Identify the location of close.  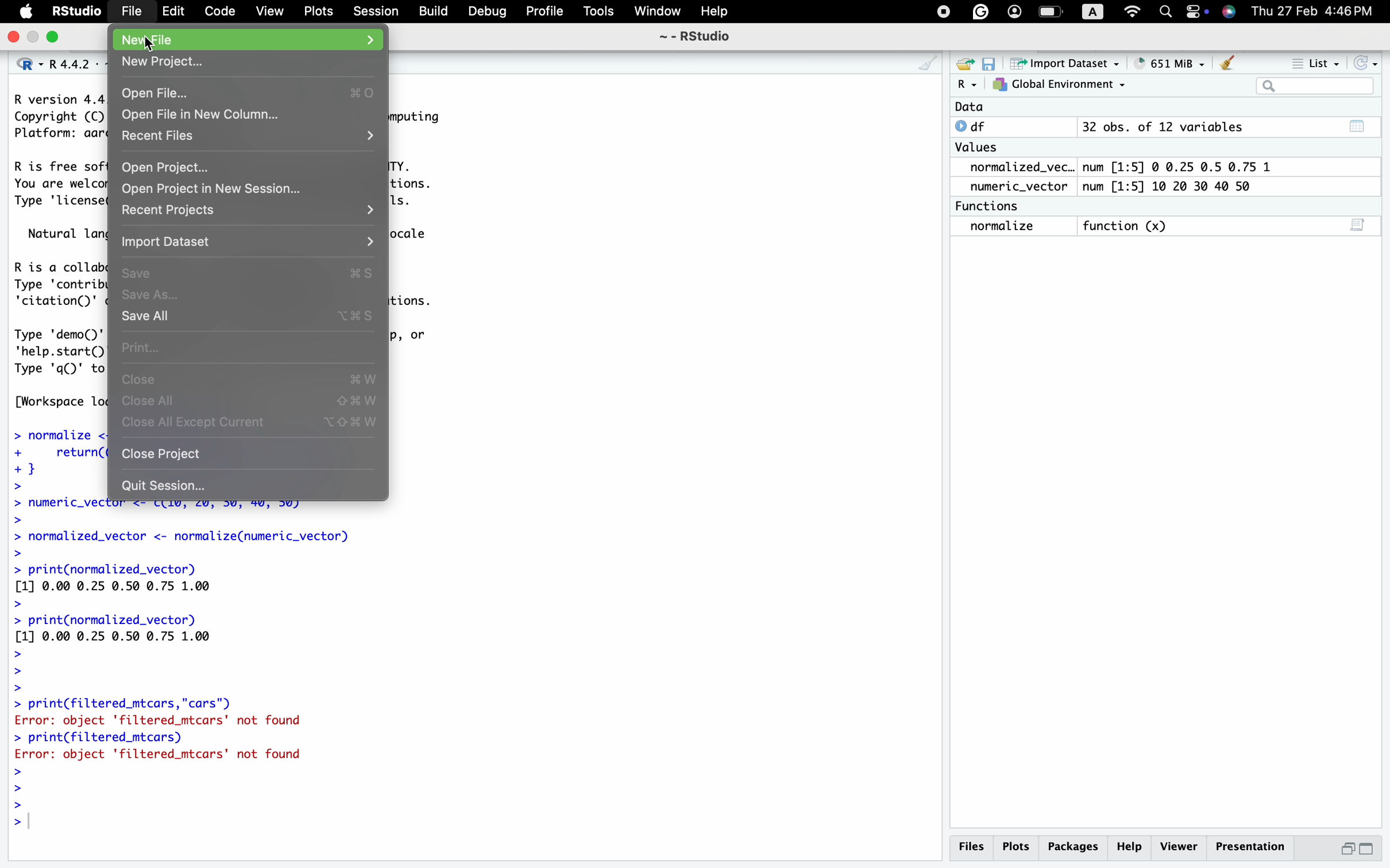
(14, 36).